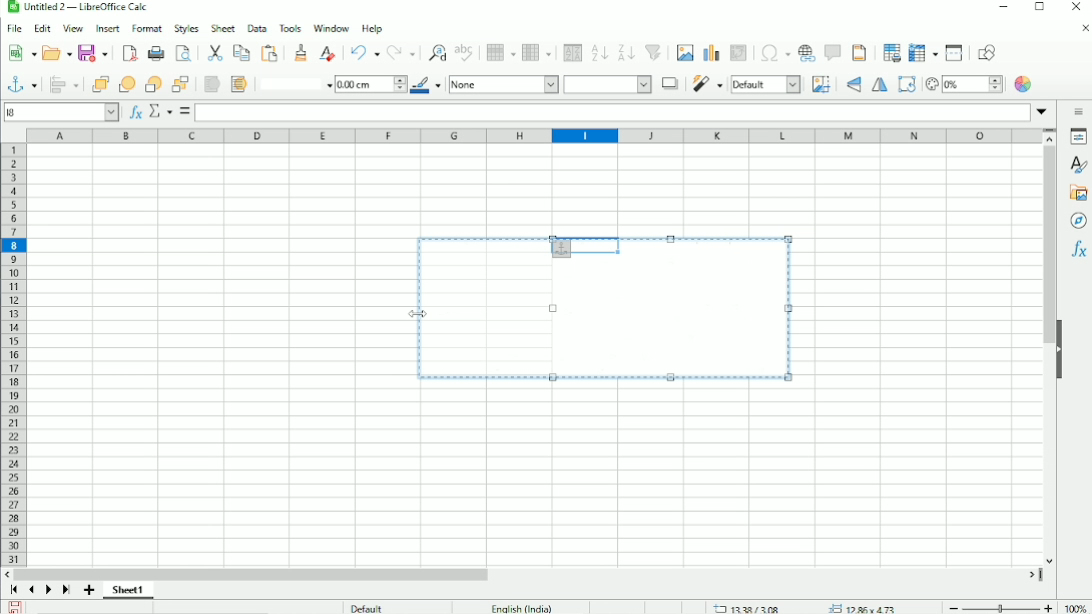 The width and height of the screenshot is (1092, 614). What do you see at coordinates (991, 52) in the screenshot?
I see `Show Draw functions ` at bounding box center [991, 52].